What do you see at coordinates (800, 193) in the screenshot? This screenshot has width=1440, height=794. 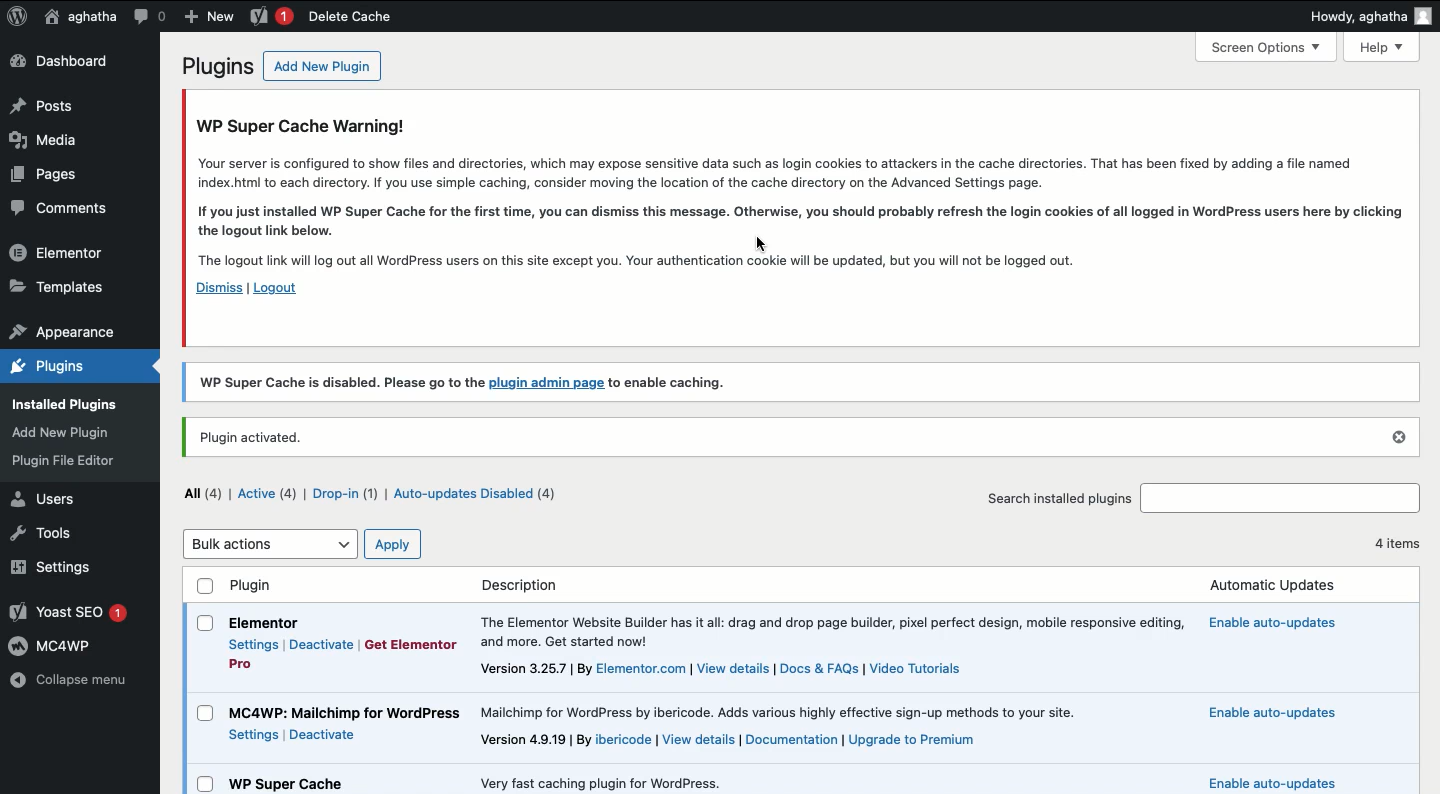 I see `WP Super Cache Warning!

Your server is configured to show files and directories, which may expose sensitive data such as login cookies to attackers in the cache directories. That has been fixed by adding a file named

index. html to each directory. If you use simple caching, consider moving the location of the cache directory on the Advanced Settings page.

If you just installed WP Super Cache for the first time, you can dismiss this message. Otherwise, you should probably refresh the login cookies of all logged in WordPress users here by clicking
the logout link below. N

The logout link will log out all WordPress users on this site except you. Your authentication cookie wil be updated, but you will not be logged out.` at bounding box center [800, 193].